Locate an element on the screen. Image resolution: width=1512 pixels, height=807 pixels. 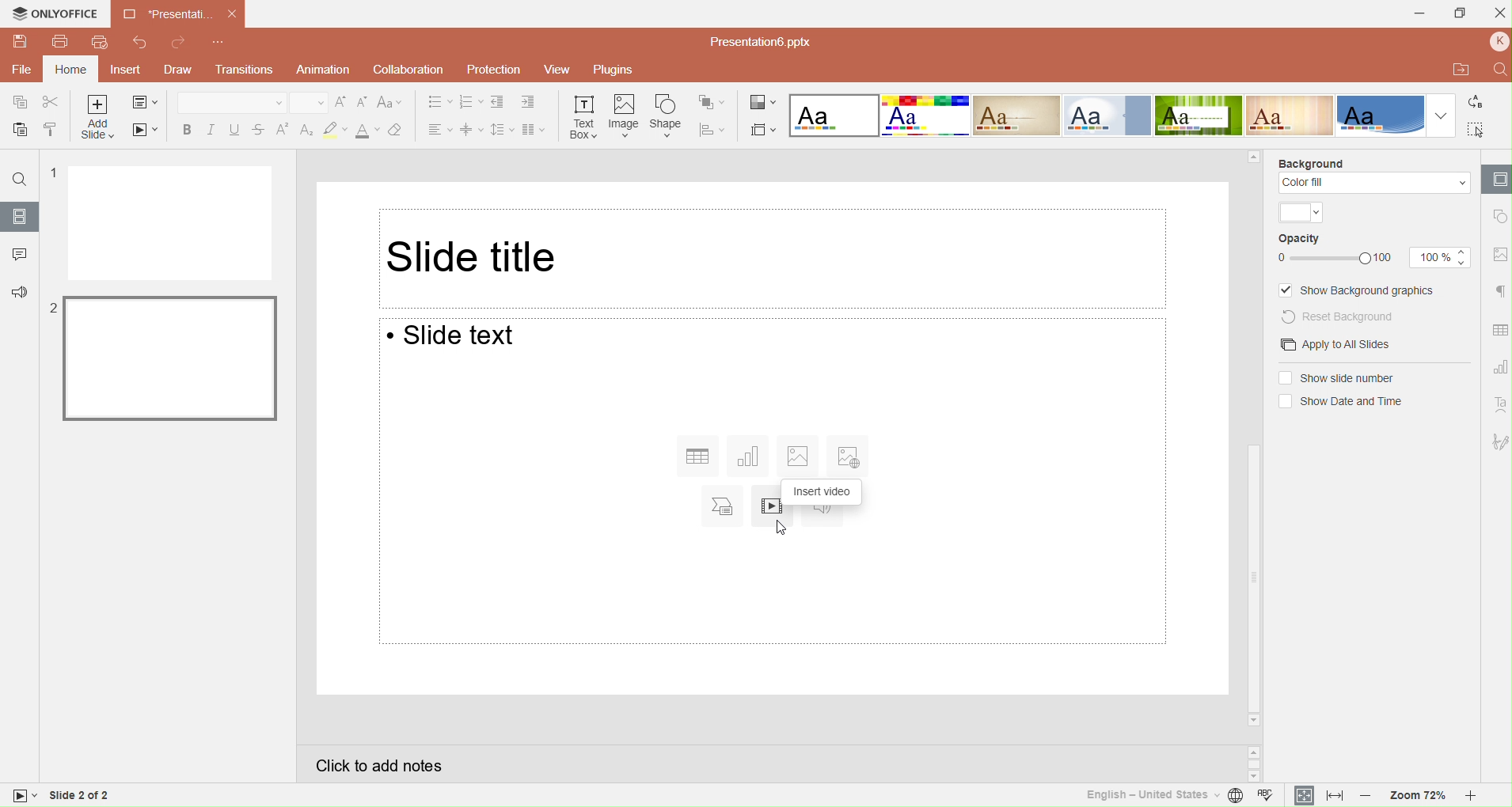
Decrease indent is located at coordinates (500, 101).